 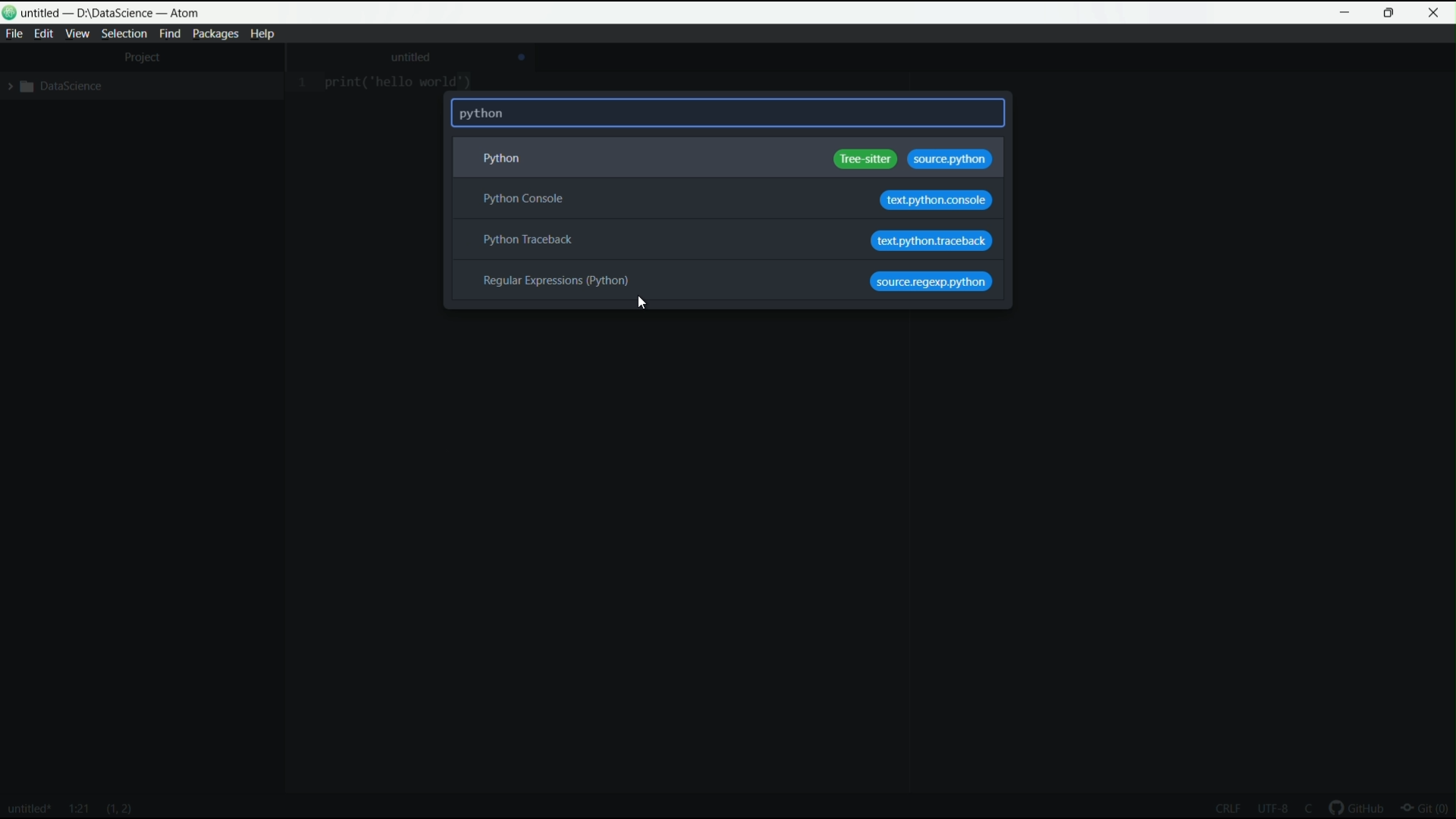 What do you see at coordinates (557, 281) in the screenshot?
I see `regular expression(python)` at bounding box center [557, 281].